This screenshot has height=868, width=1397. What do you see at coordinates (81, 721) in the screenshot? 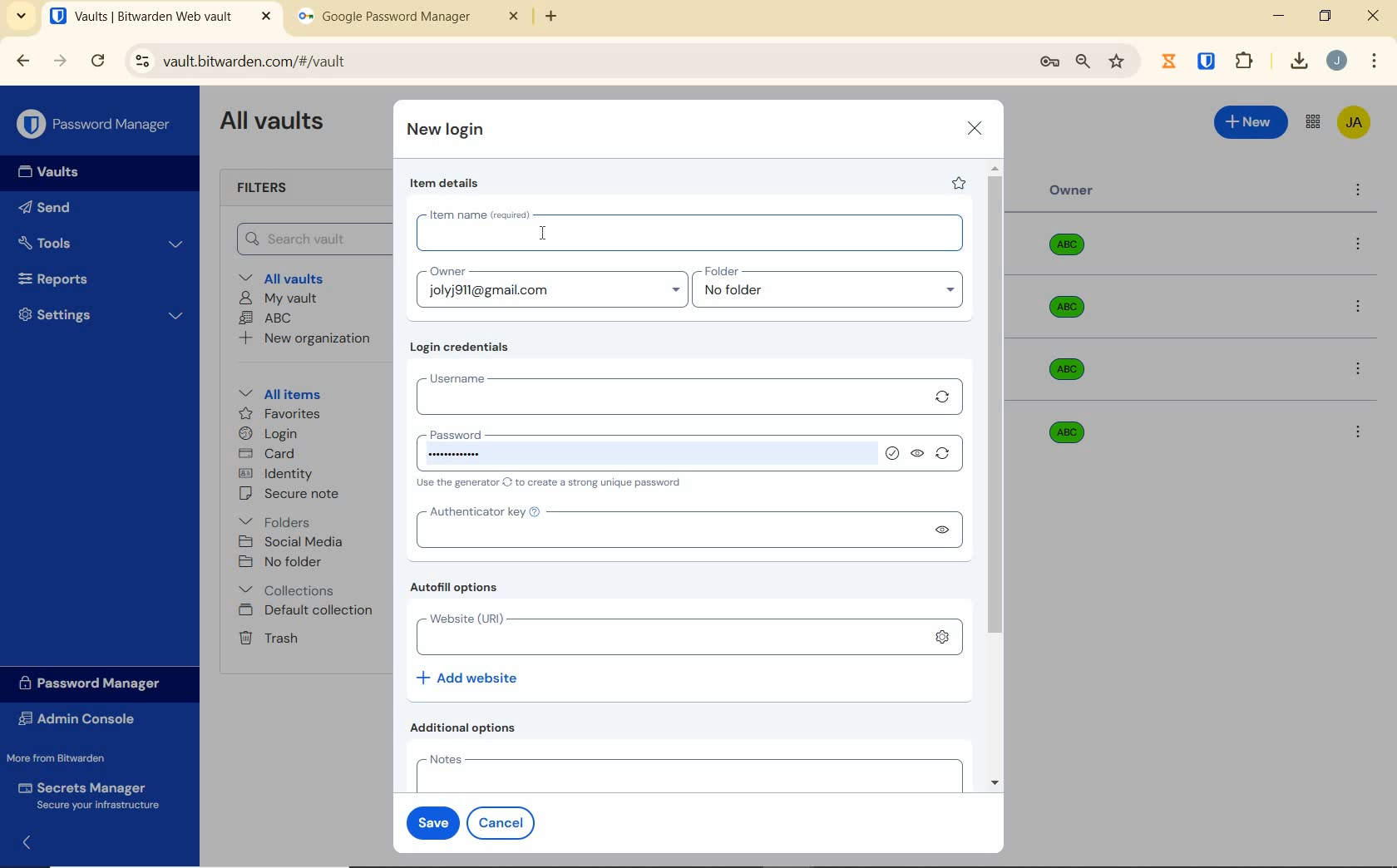
I see `Admin Console` at bounding box center [81, 721].